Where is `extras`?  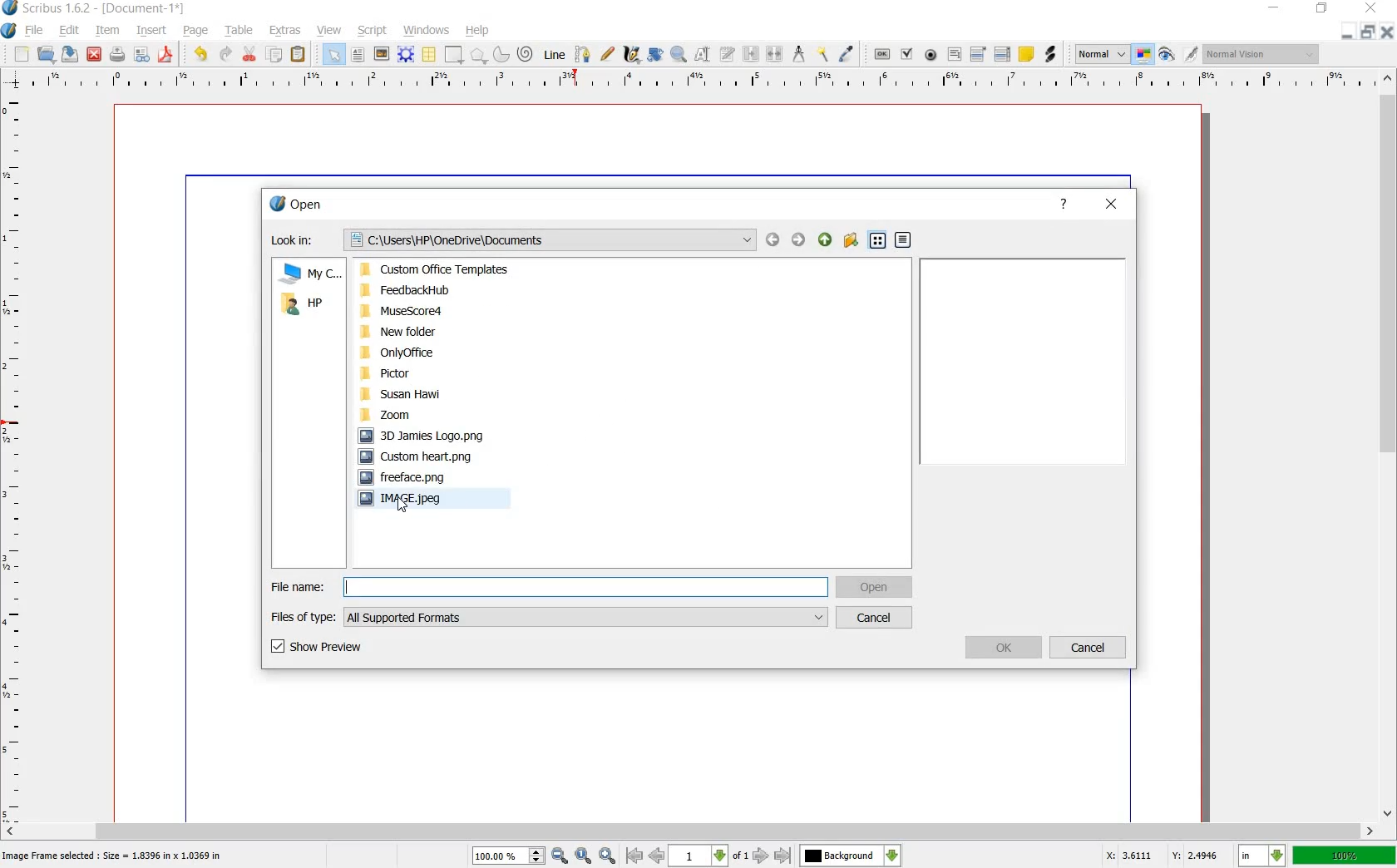
extras is located at coordinates (285, 30).